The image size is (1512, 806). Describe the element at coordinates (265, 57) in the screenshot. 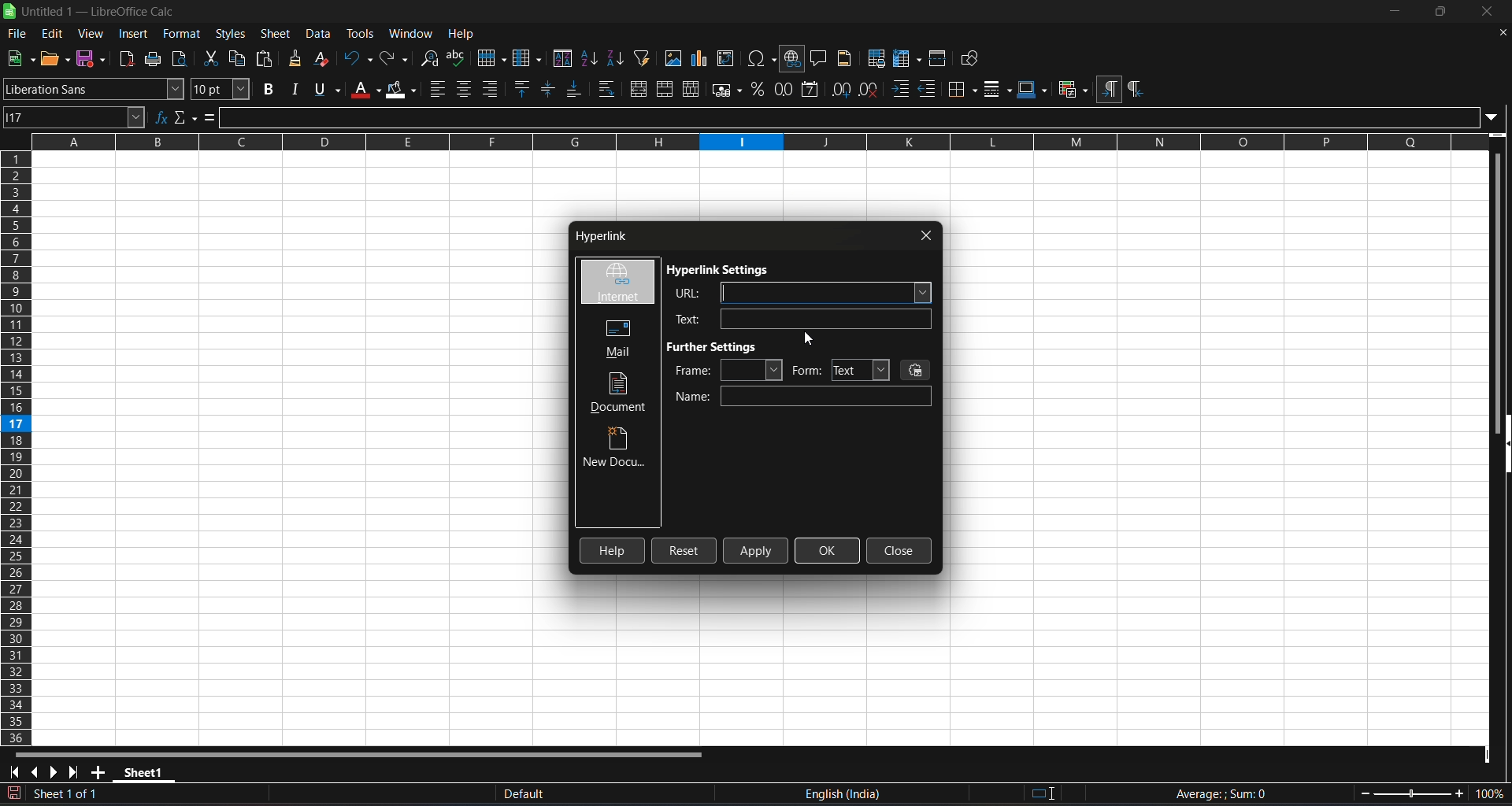

I see `paste` at that location.